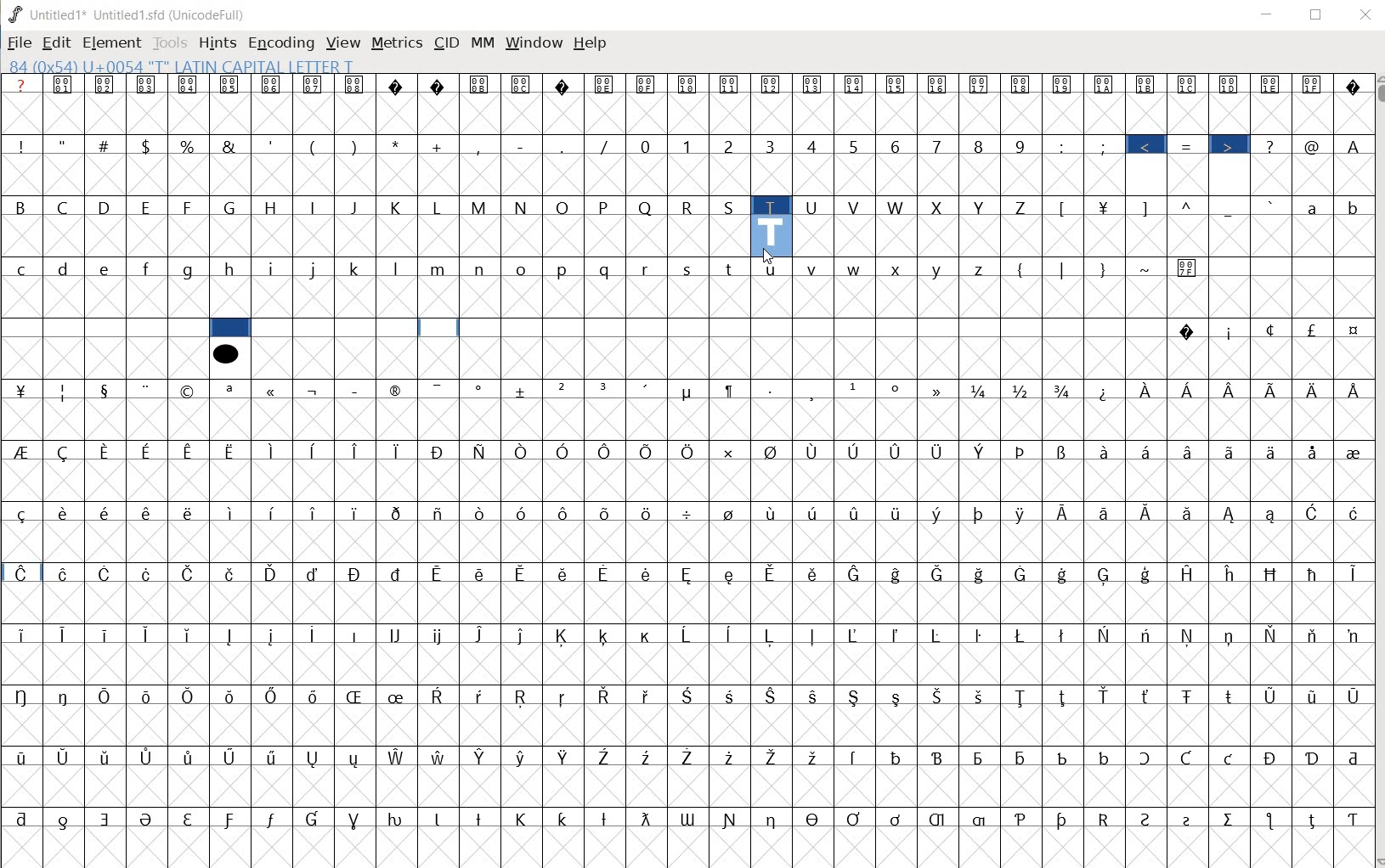 The width and height of the screenshot is (1385, 868). What do you see at coordinates (1268, 14) in the screenshot?
I see `minimize` at bounding box center [1268, 14].